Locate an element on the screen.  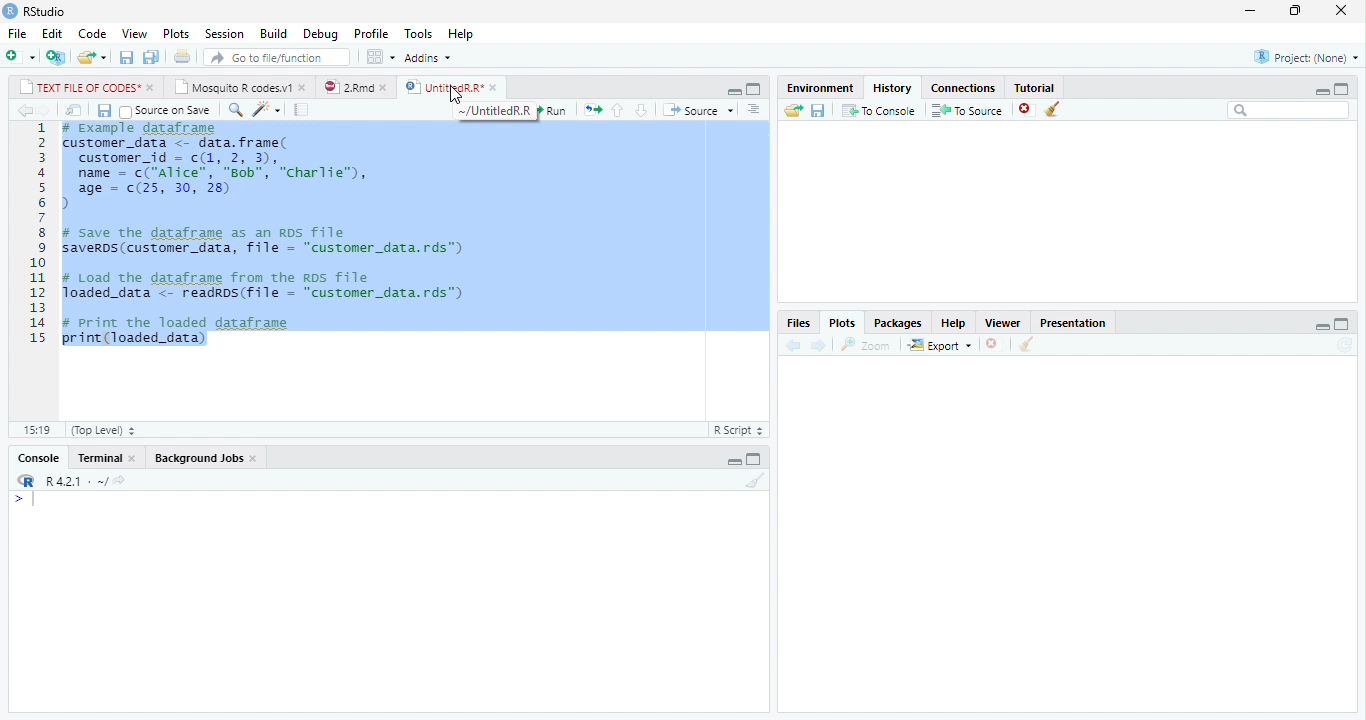
compile report is located at coordinates (301, 110).